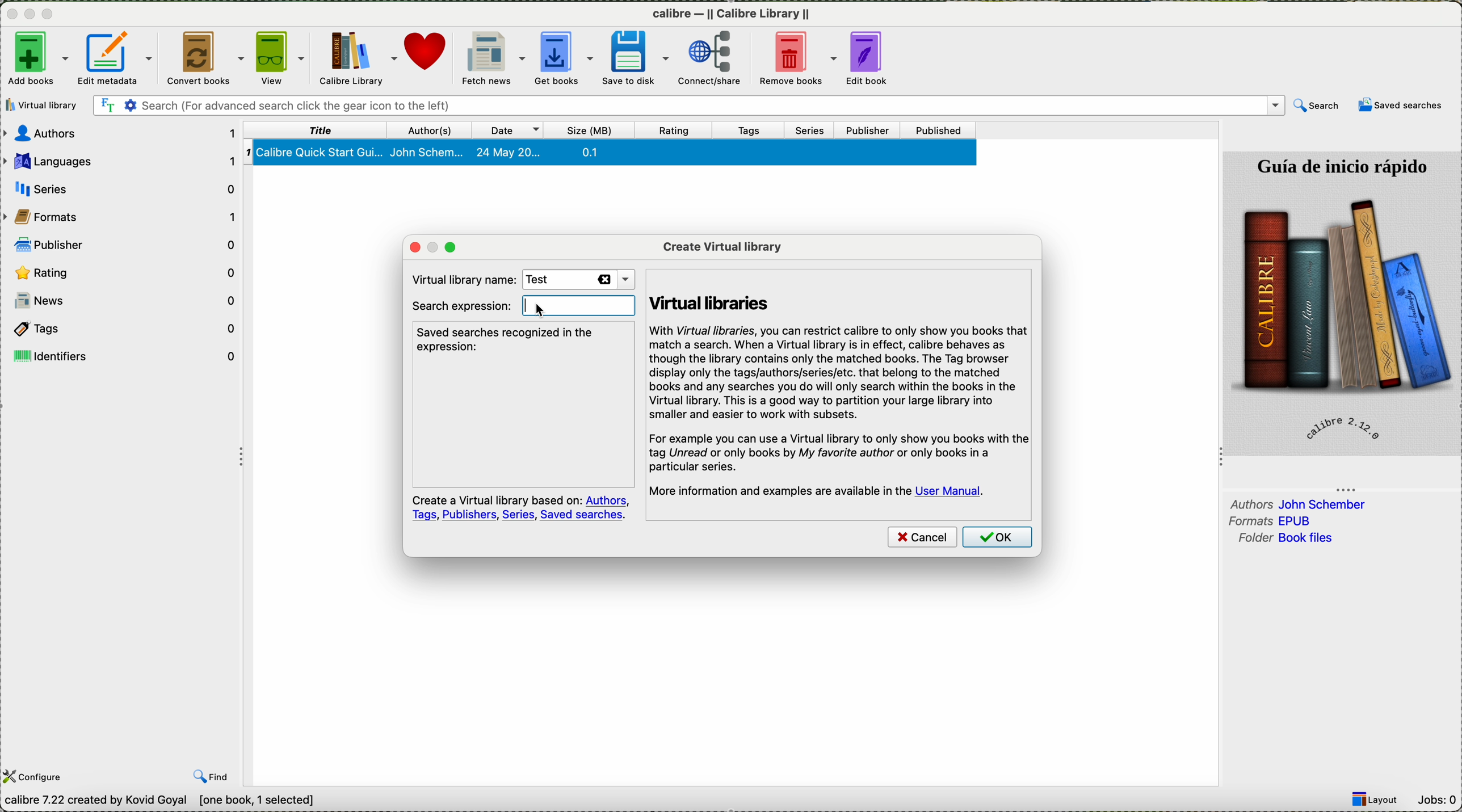  I want to click on book, so click(612, 154).